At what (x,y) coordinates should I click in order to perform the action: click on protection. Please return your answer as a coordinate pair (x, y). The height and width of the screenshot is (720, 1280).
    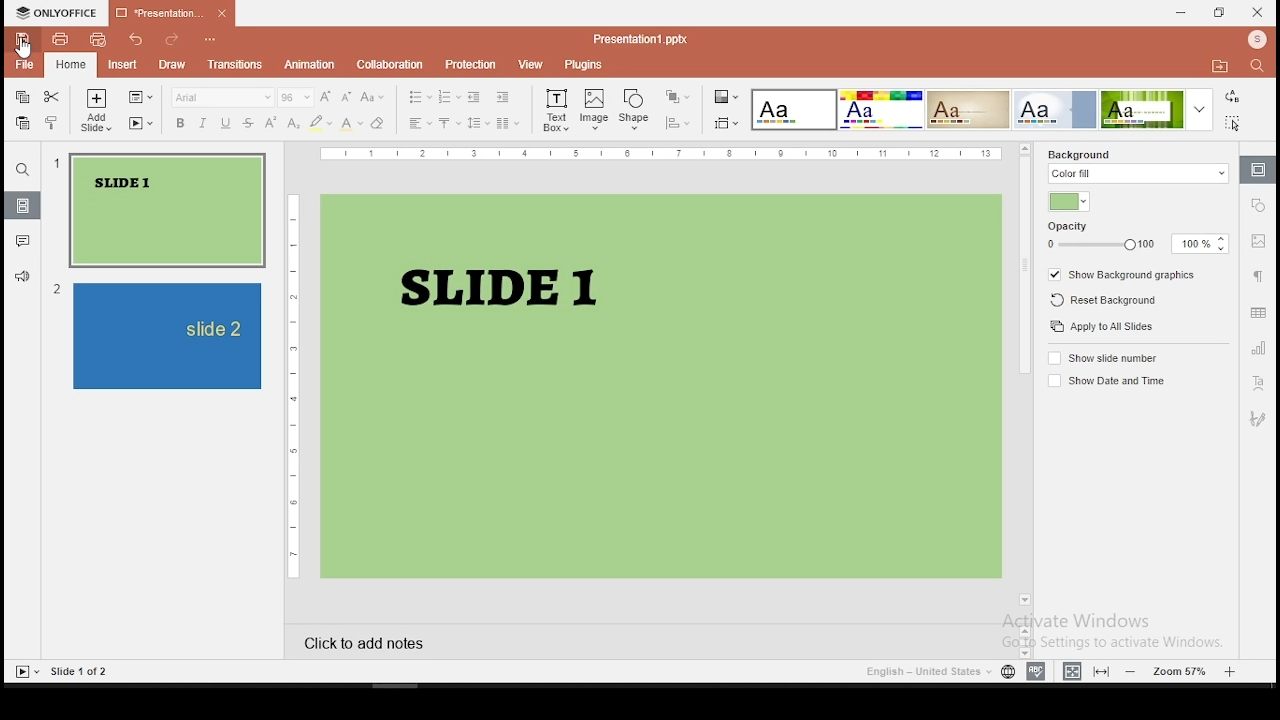
    Looking at the image, I should click on (470, 65).